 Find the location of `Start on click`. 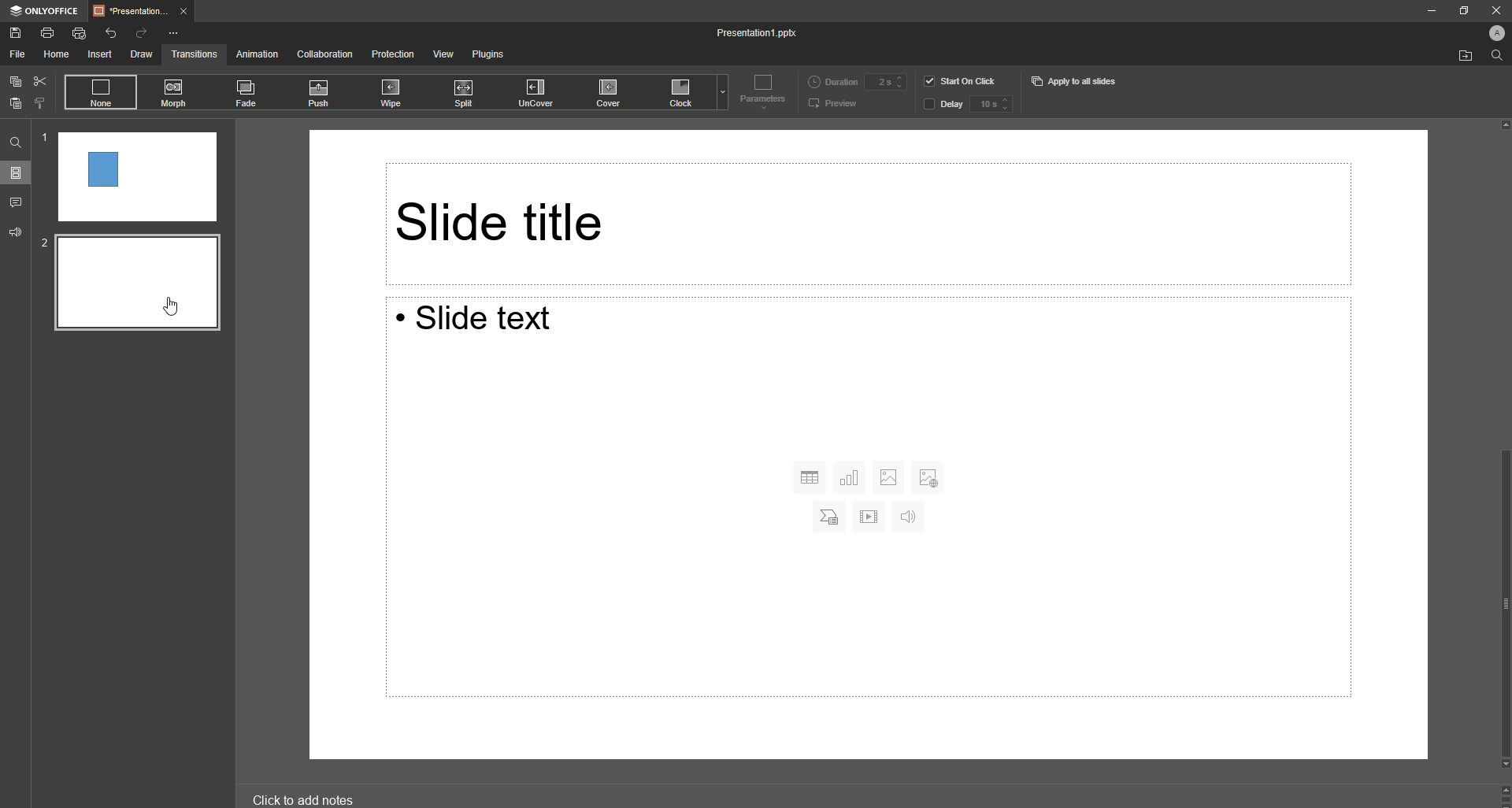

Start on click is located at coordinates (962, 80).